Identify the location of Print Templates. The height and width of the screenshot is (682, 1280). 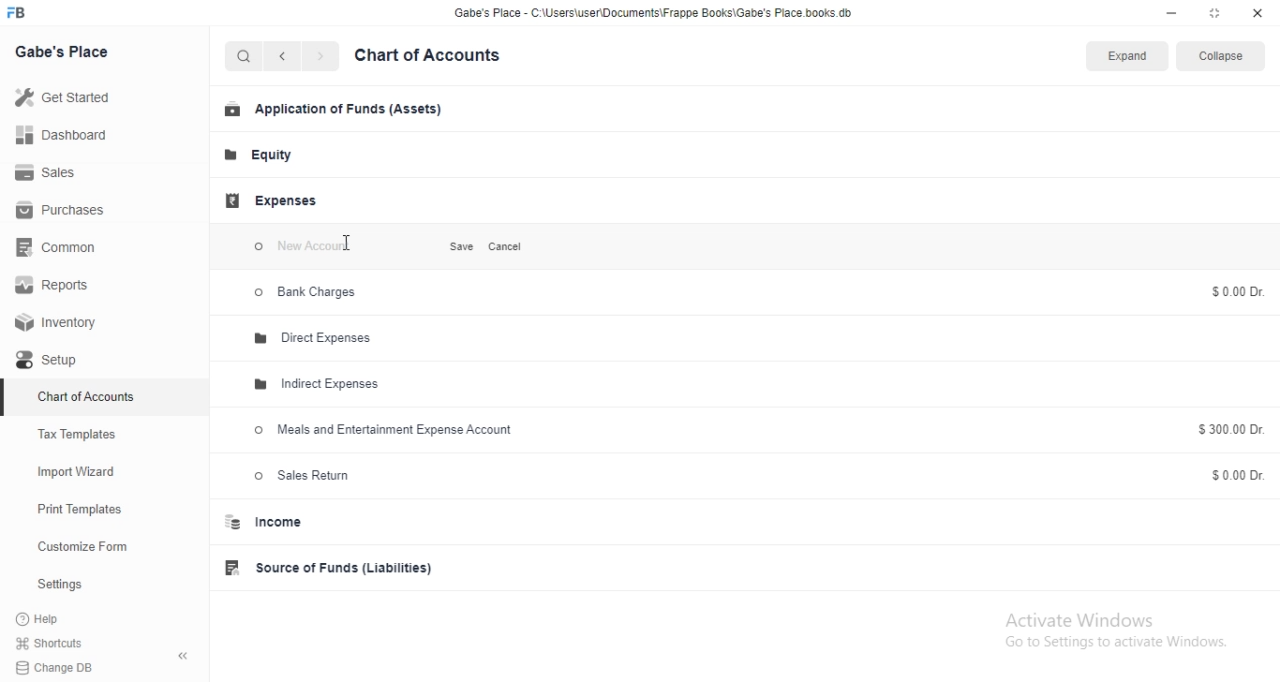
(78, 508).